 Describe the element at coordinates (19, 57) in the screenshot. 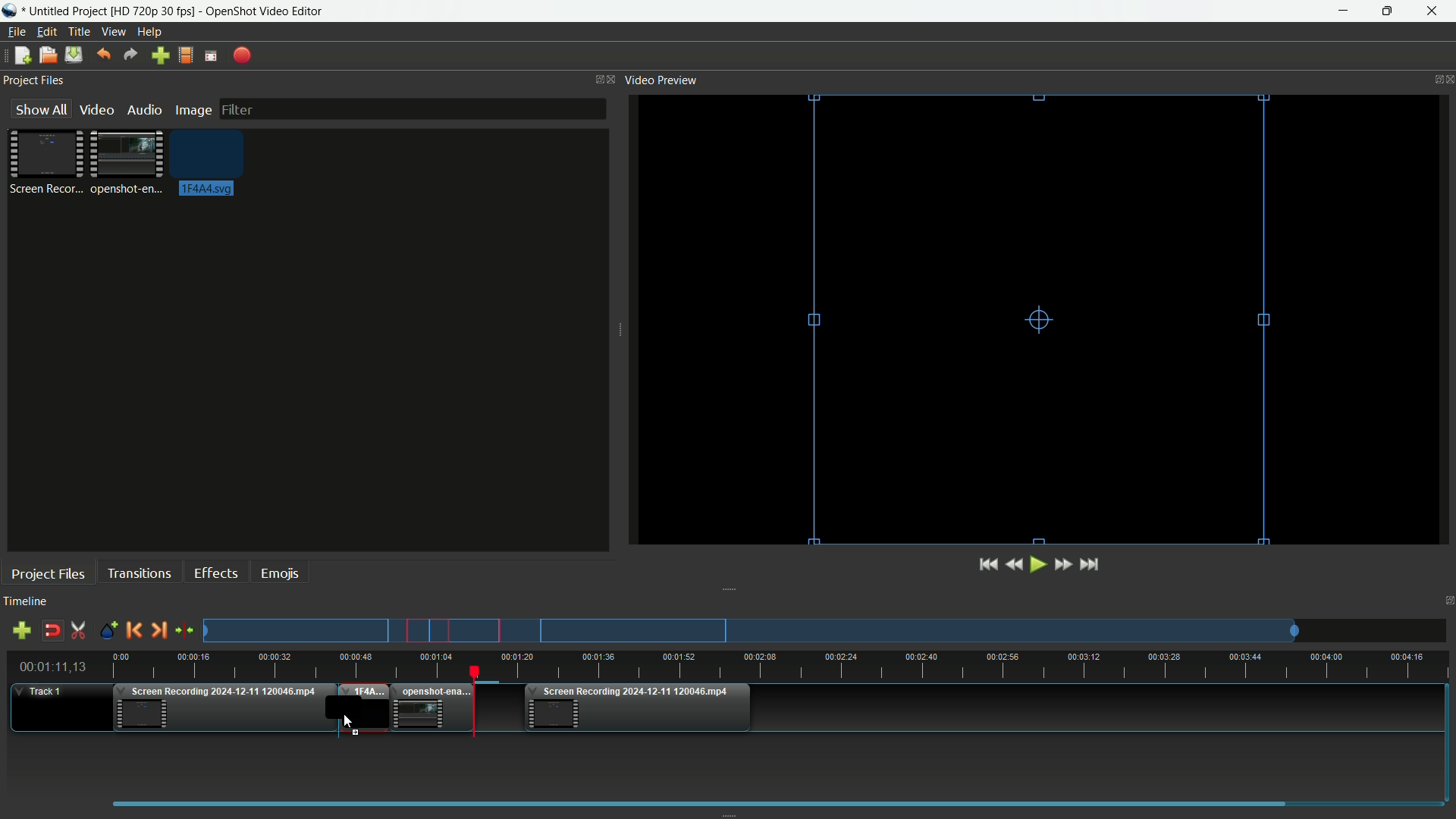

I see `New file` at that location.